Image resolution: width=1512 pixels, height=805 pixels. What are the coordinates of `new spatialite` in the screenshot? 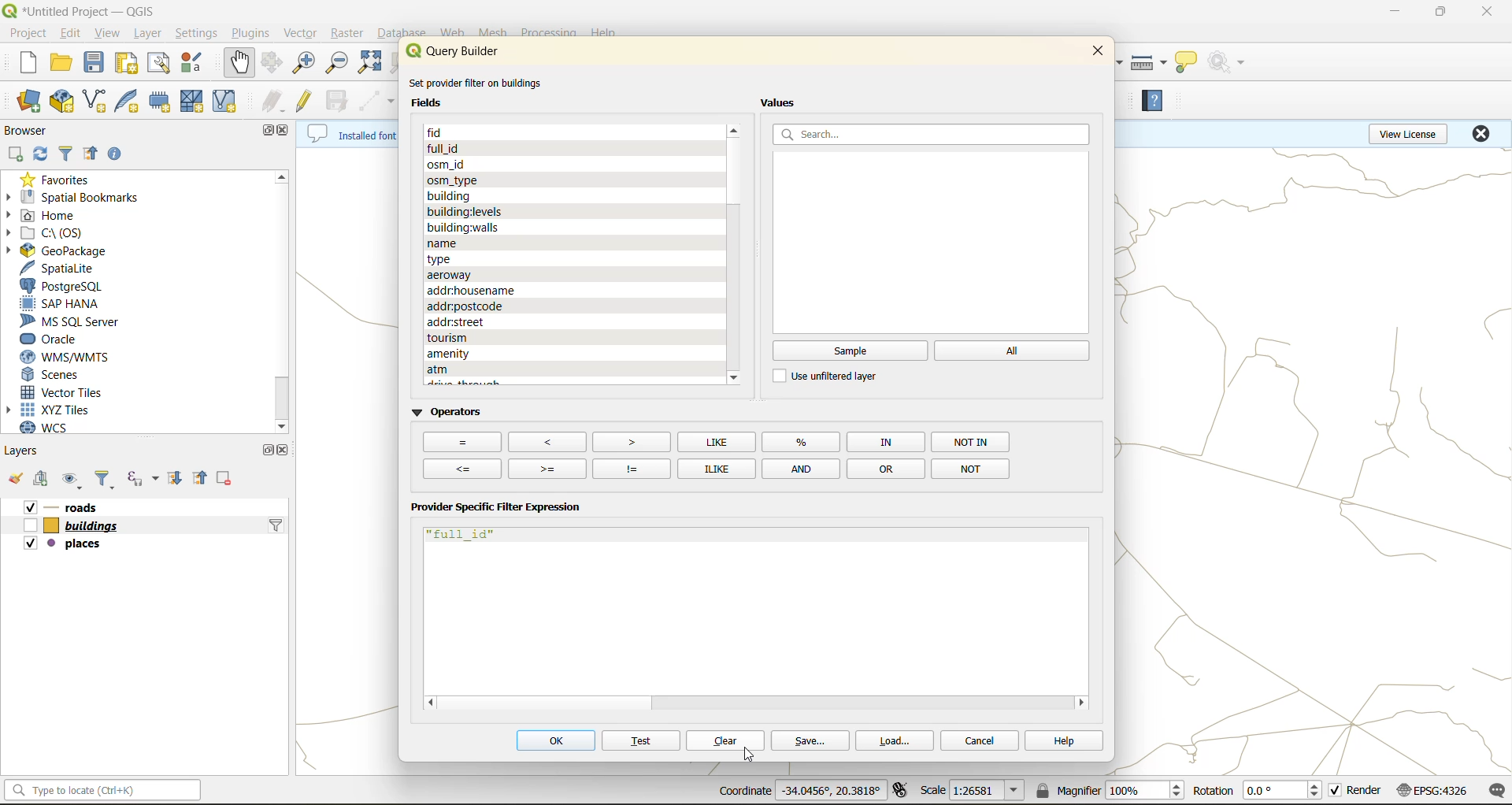 It's located at (130, 103).